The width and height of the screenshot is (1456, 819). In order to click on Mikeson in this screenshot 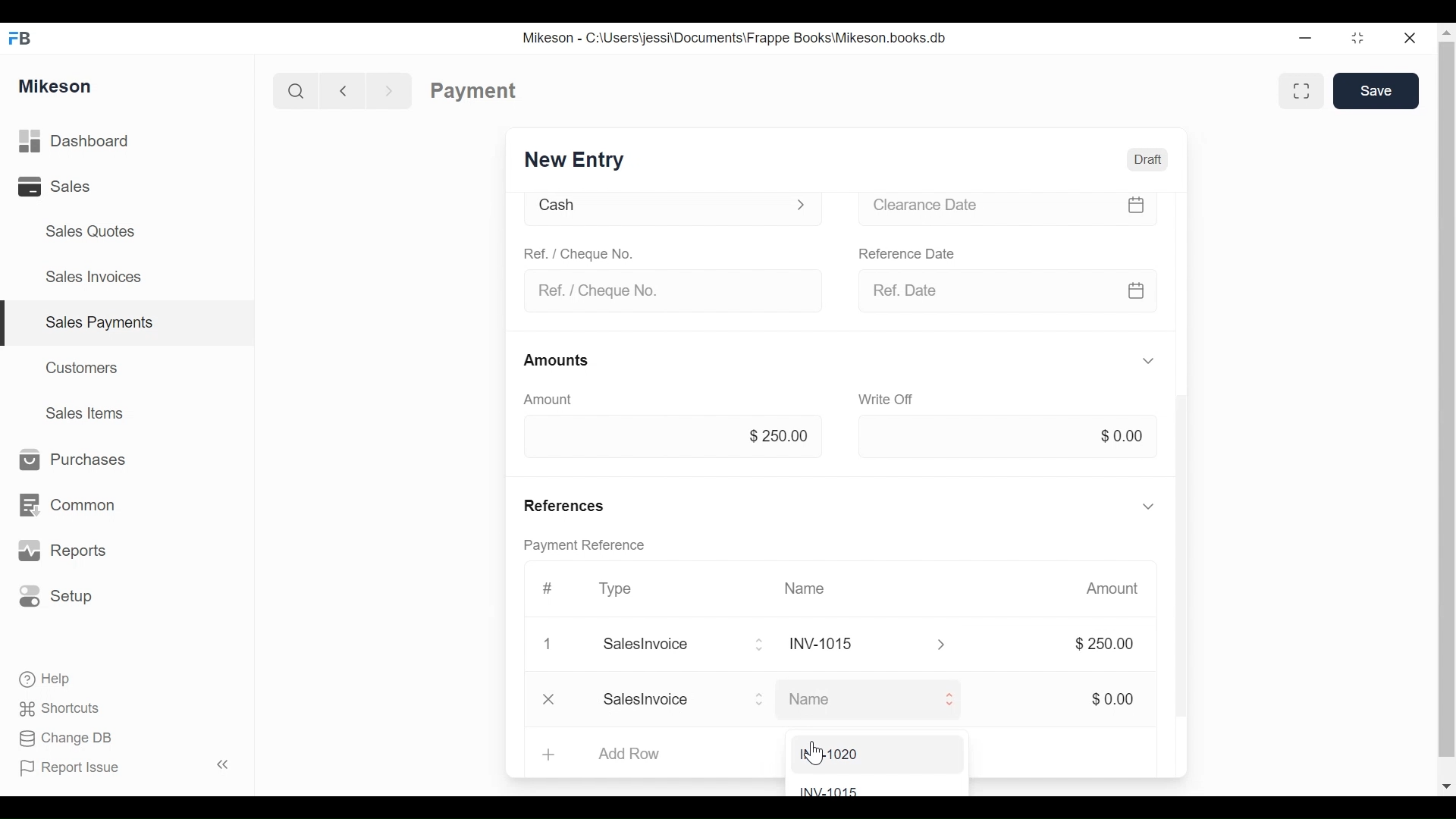, I will do `click(56, 84)`.